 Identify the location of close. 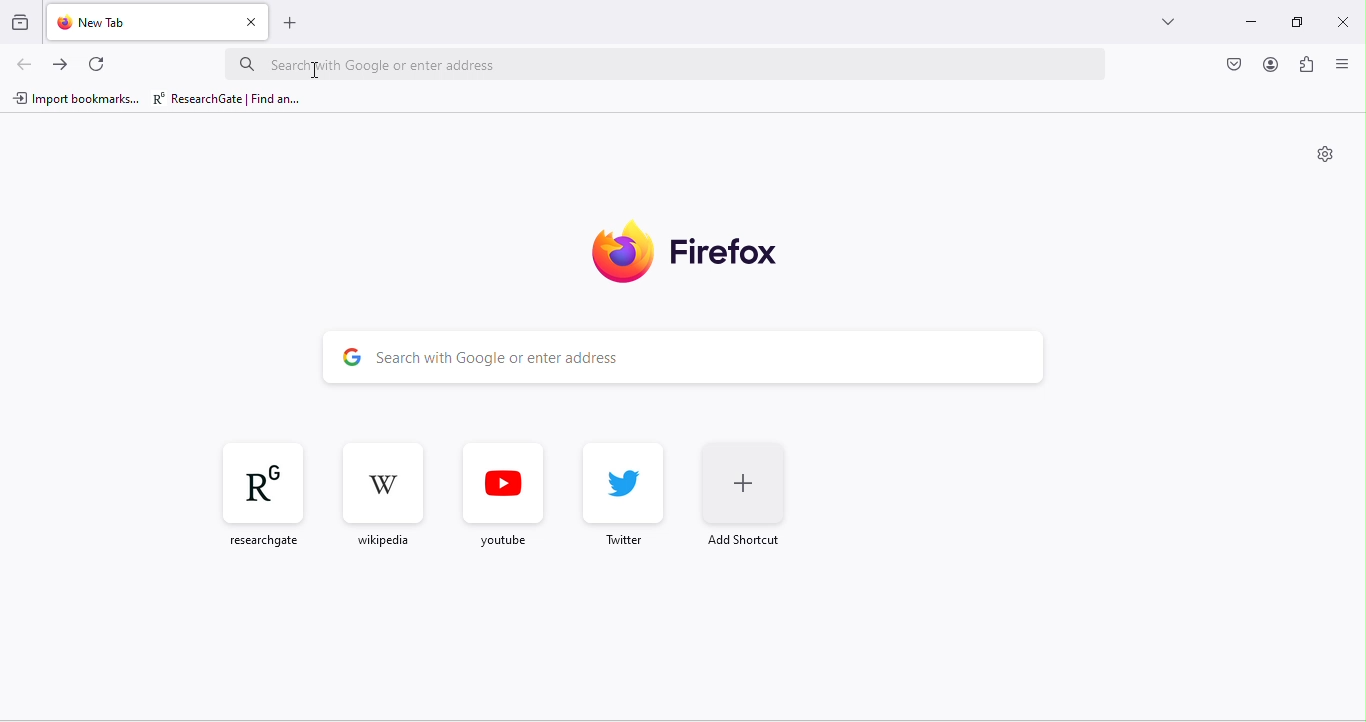
(247, 22).